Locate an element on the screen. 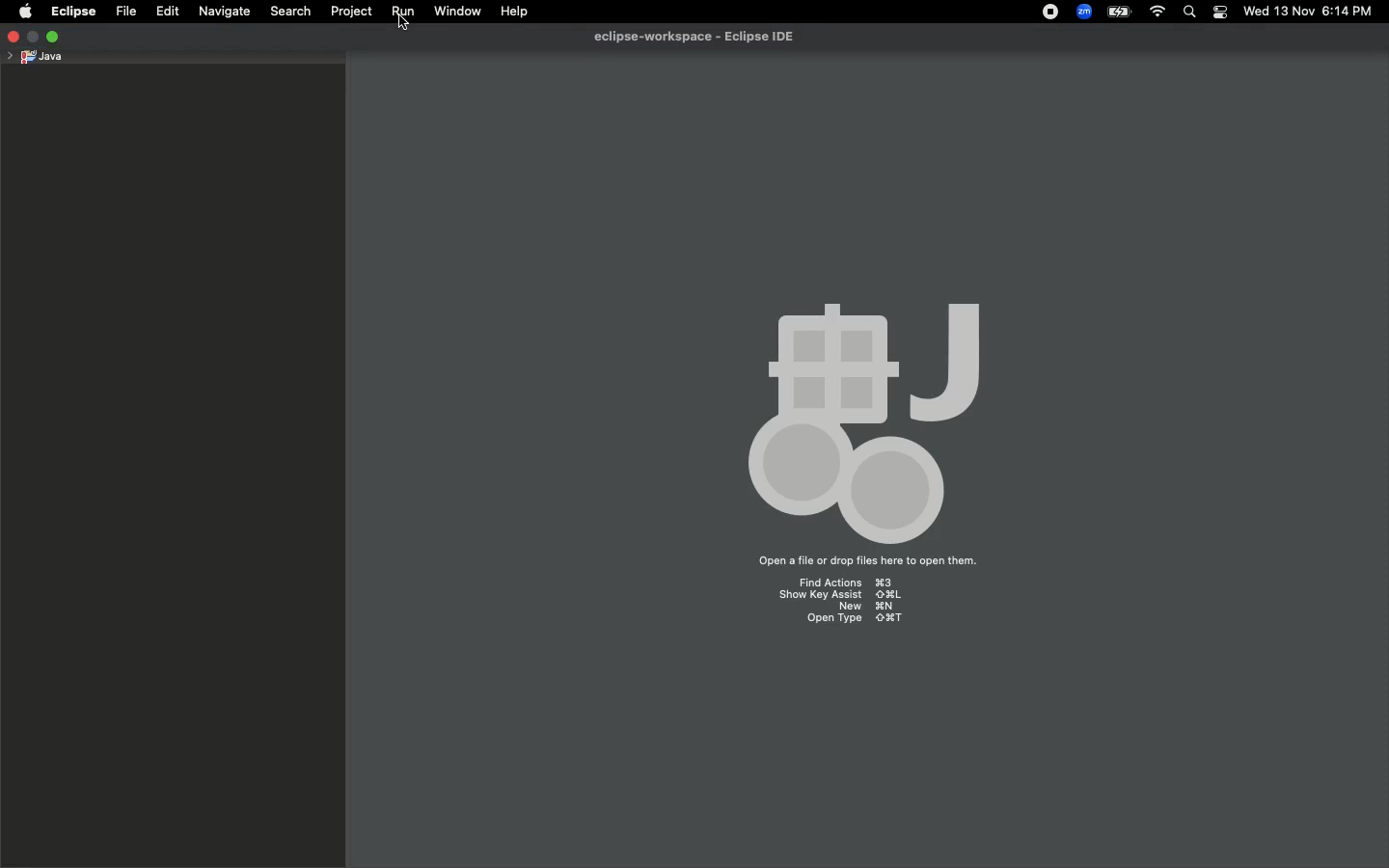  Search is located at coordinates (1188, 14).